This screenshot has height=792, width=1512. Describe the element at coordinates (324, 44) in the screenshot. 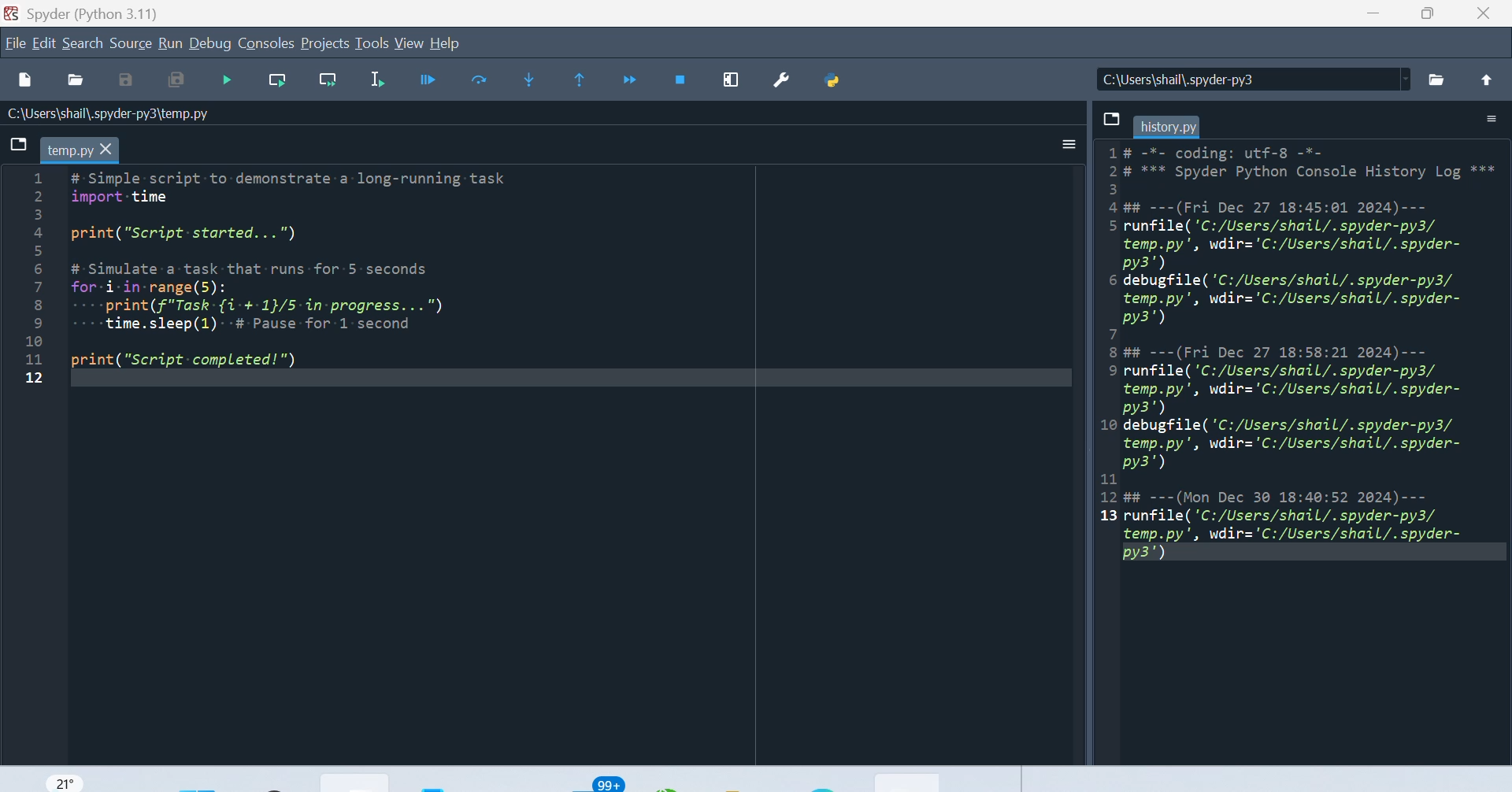

I see `Projects` at that location.